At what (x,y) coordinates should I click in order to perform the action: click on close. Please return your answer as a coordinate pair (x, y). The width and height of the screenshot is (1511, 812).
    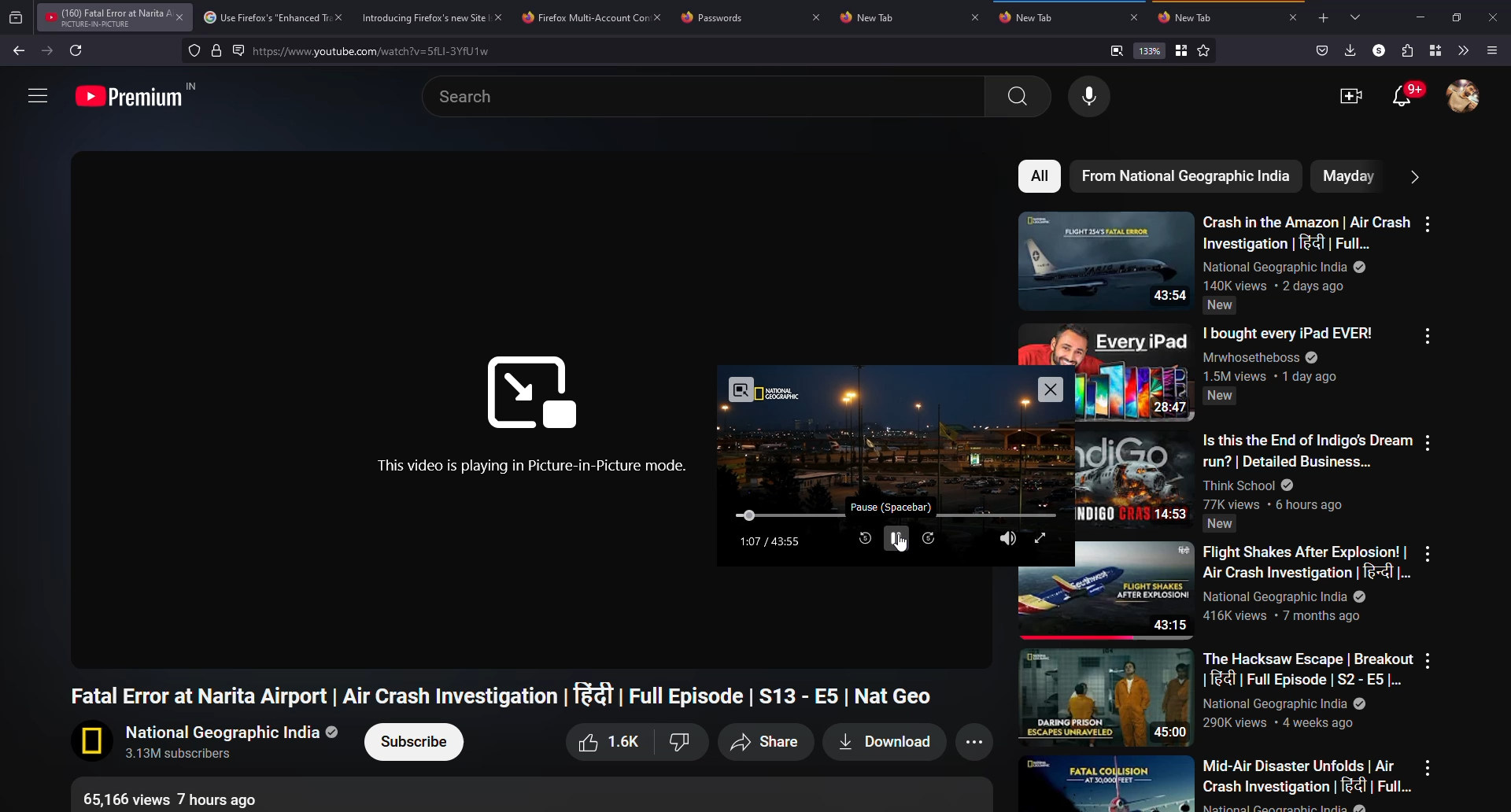
    Looking at the image, I should click on (659, 14).